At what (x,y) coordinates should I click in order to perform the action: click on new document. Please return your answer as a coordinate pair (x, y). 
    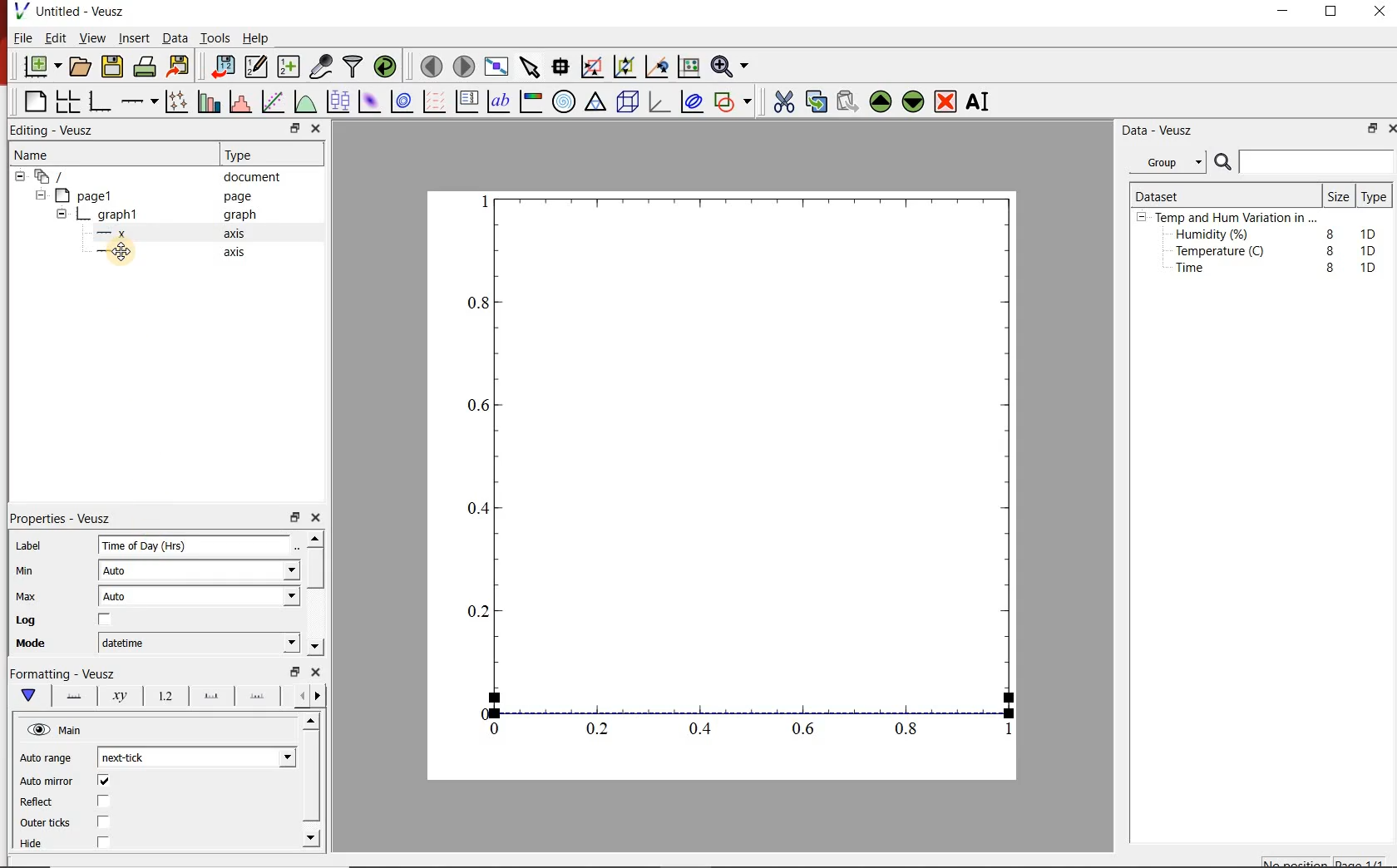
    Looking at the image, I should click on (41, 67).